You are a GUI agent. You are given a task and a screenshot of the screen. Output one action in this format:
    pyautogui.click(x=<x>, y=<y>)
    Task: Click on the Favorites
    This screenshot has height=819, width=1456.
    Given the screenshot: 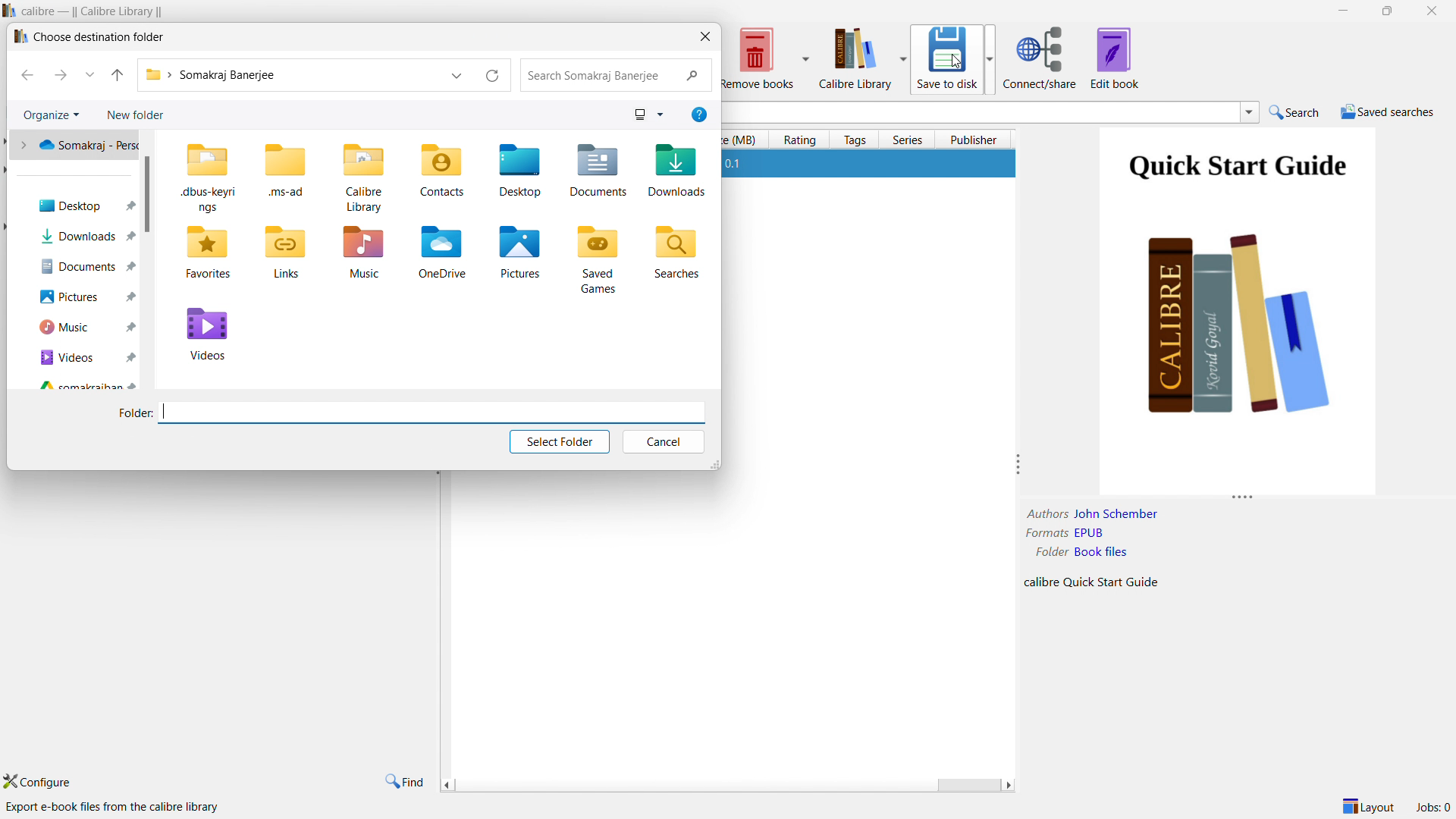 What is the action you would take?
    pyautogui.click(x=209, y=253)
    